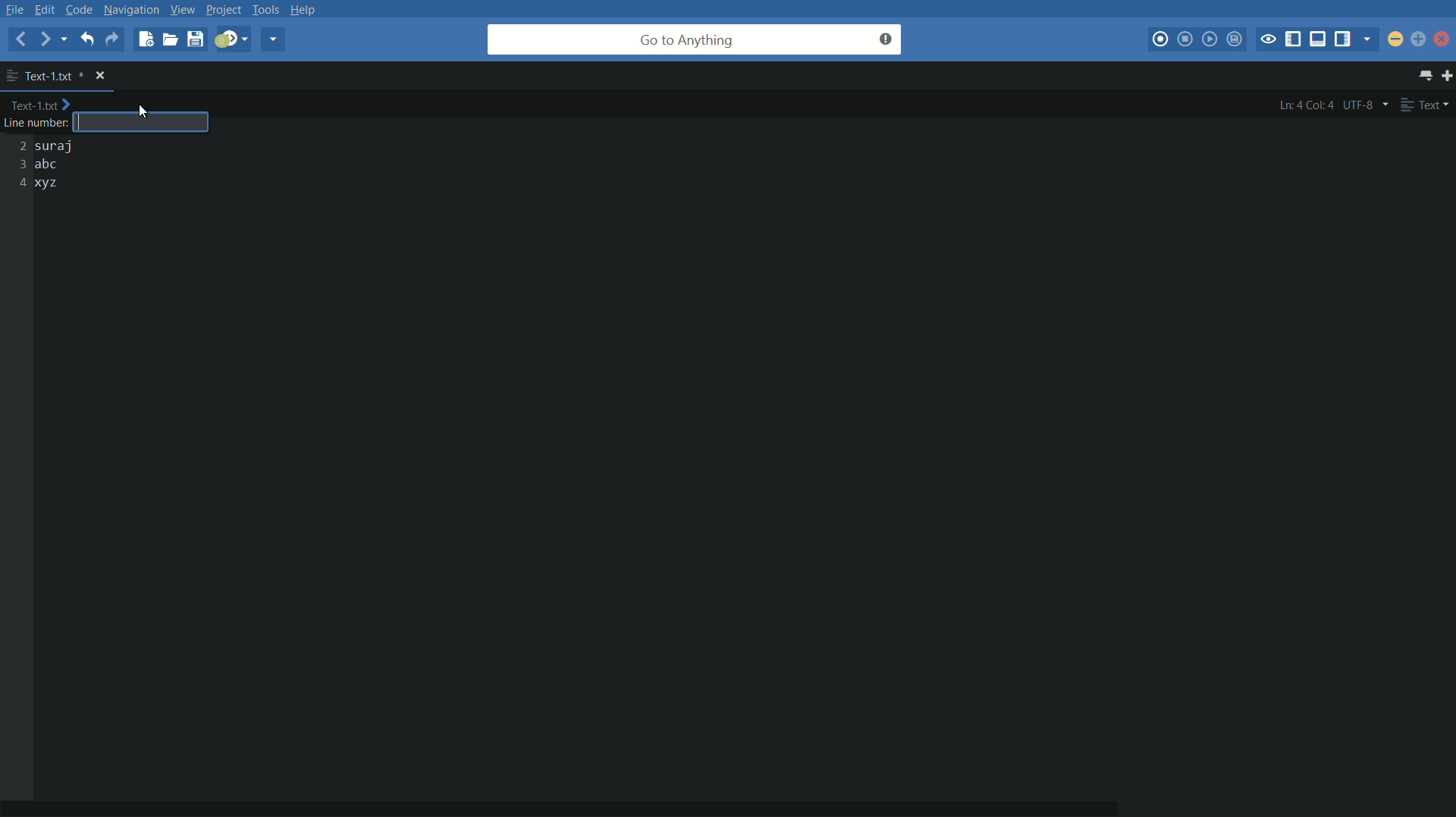  I want to click on redo, so click(111, 38).